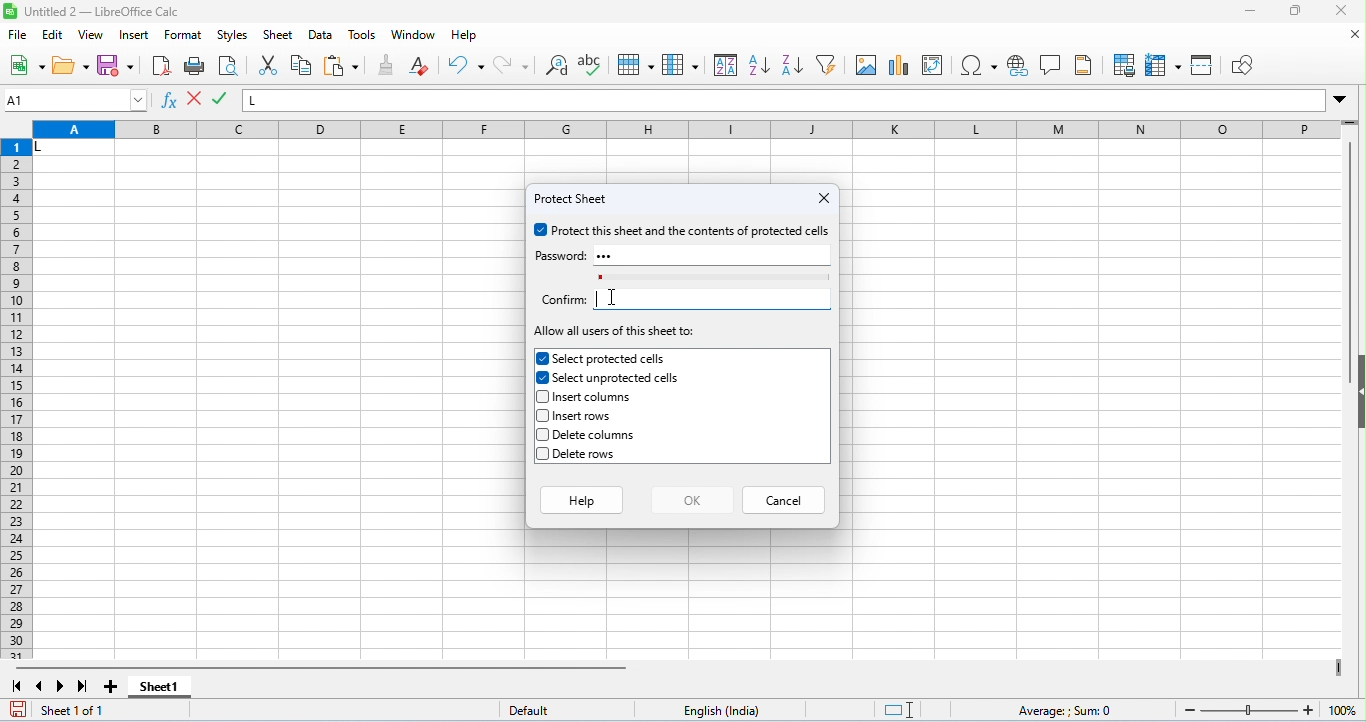 Image resolution: width=1366 pixels, height=722 pixels. What do you see at coordinates (1266, 708) in the screenshot?
I see `zoom` at bounding box center [1266, 708].